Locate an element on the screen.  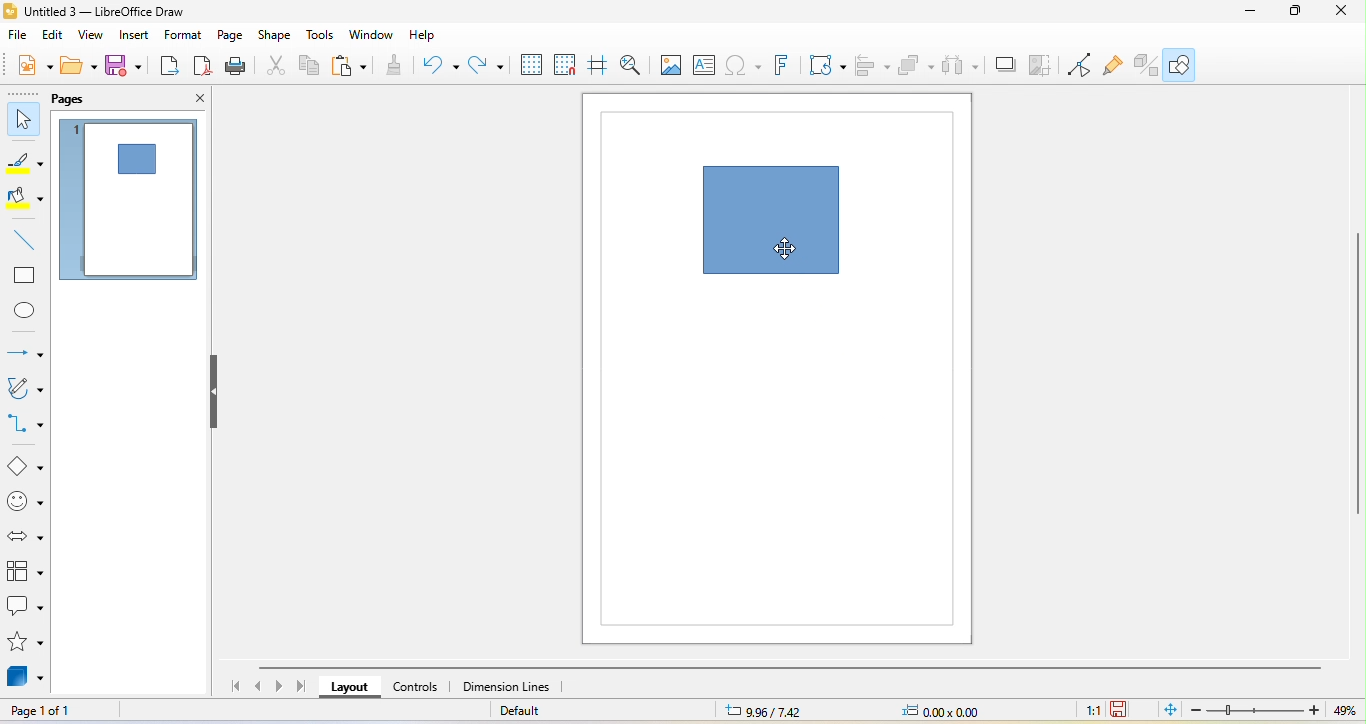
fill color is located at coordinates (26, 200).